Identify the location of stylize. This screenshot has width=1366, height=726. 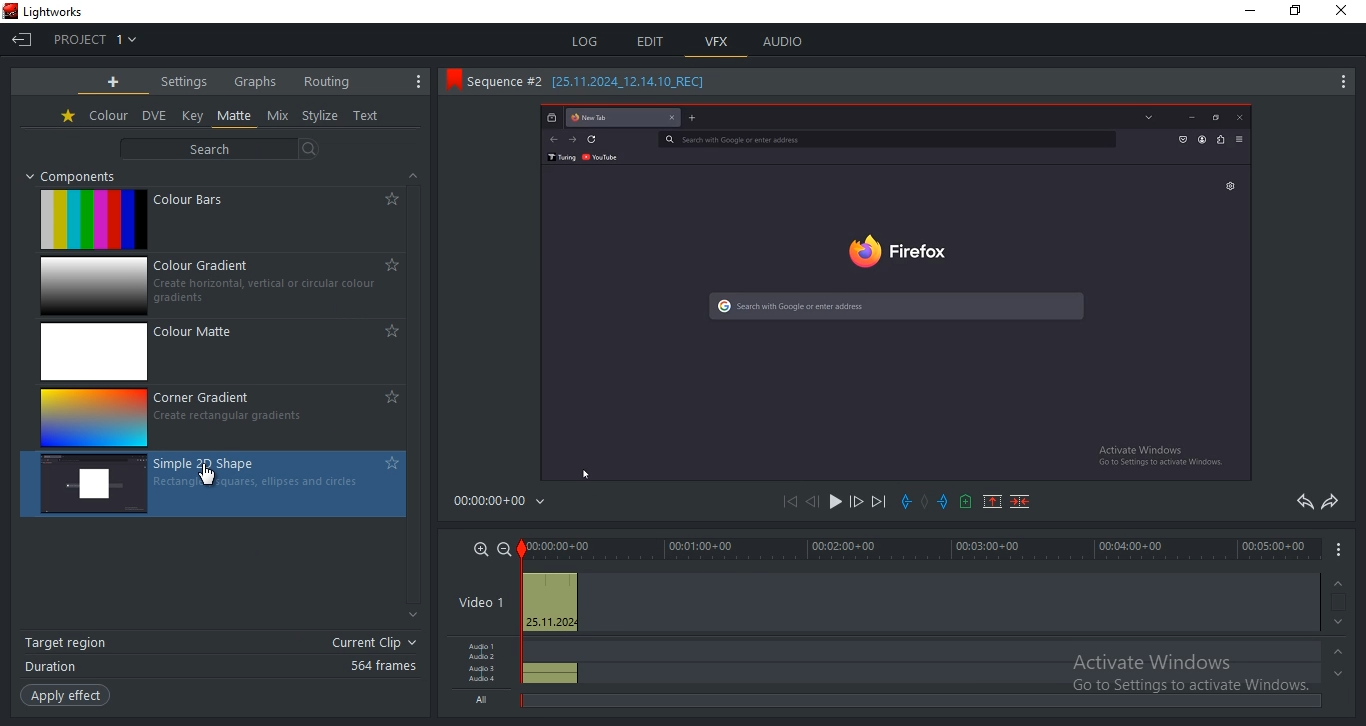
(320, 116).